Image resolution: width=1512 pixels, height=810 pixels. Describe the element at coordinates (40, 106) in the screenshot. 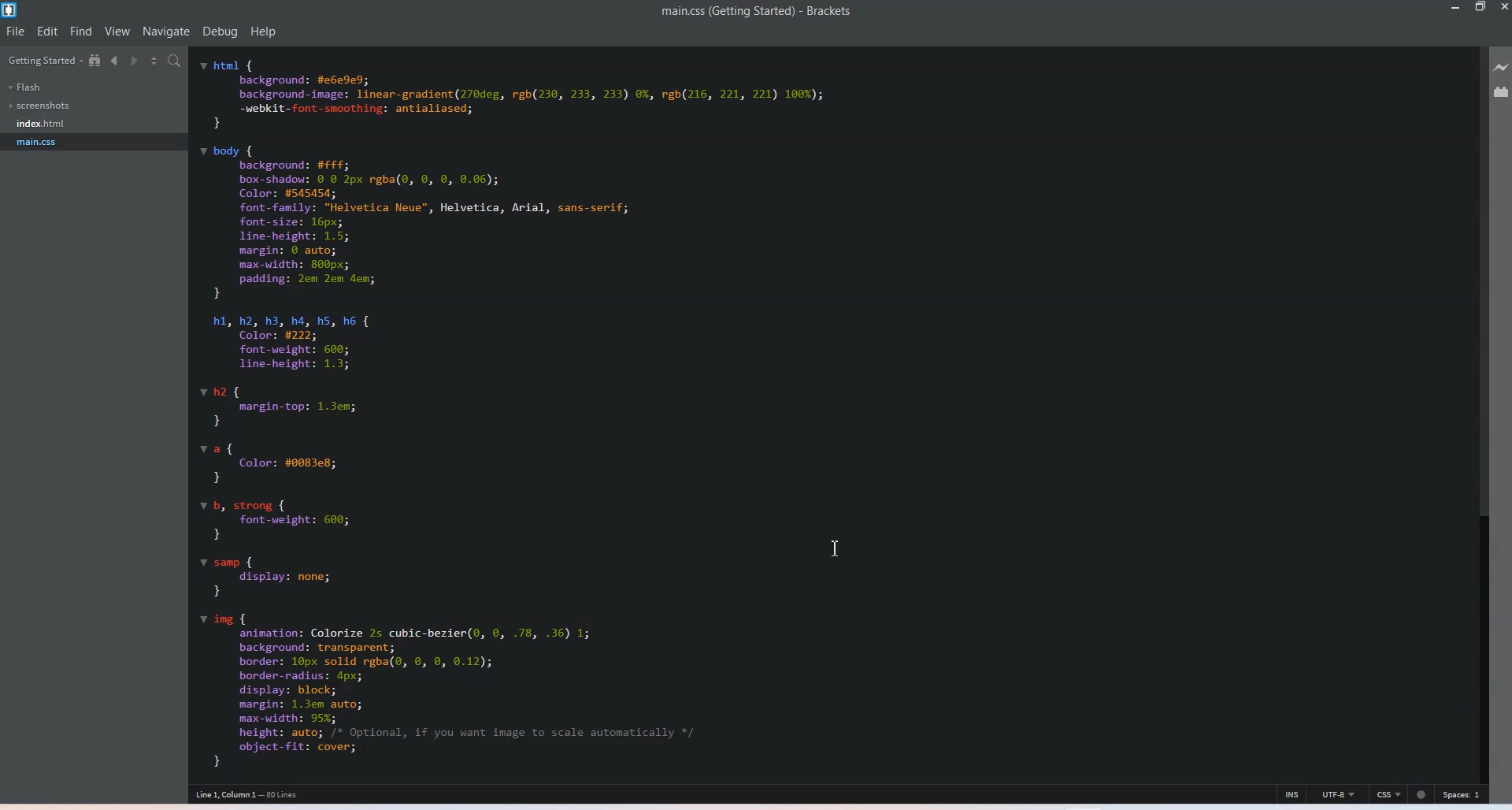

I see `Screenshots` at that location.